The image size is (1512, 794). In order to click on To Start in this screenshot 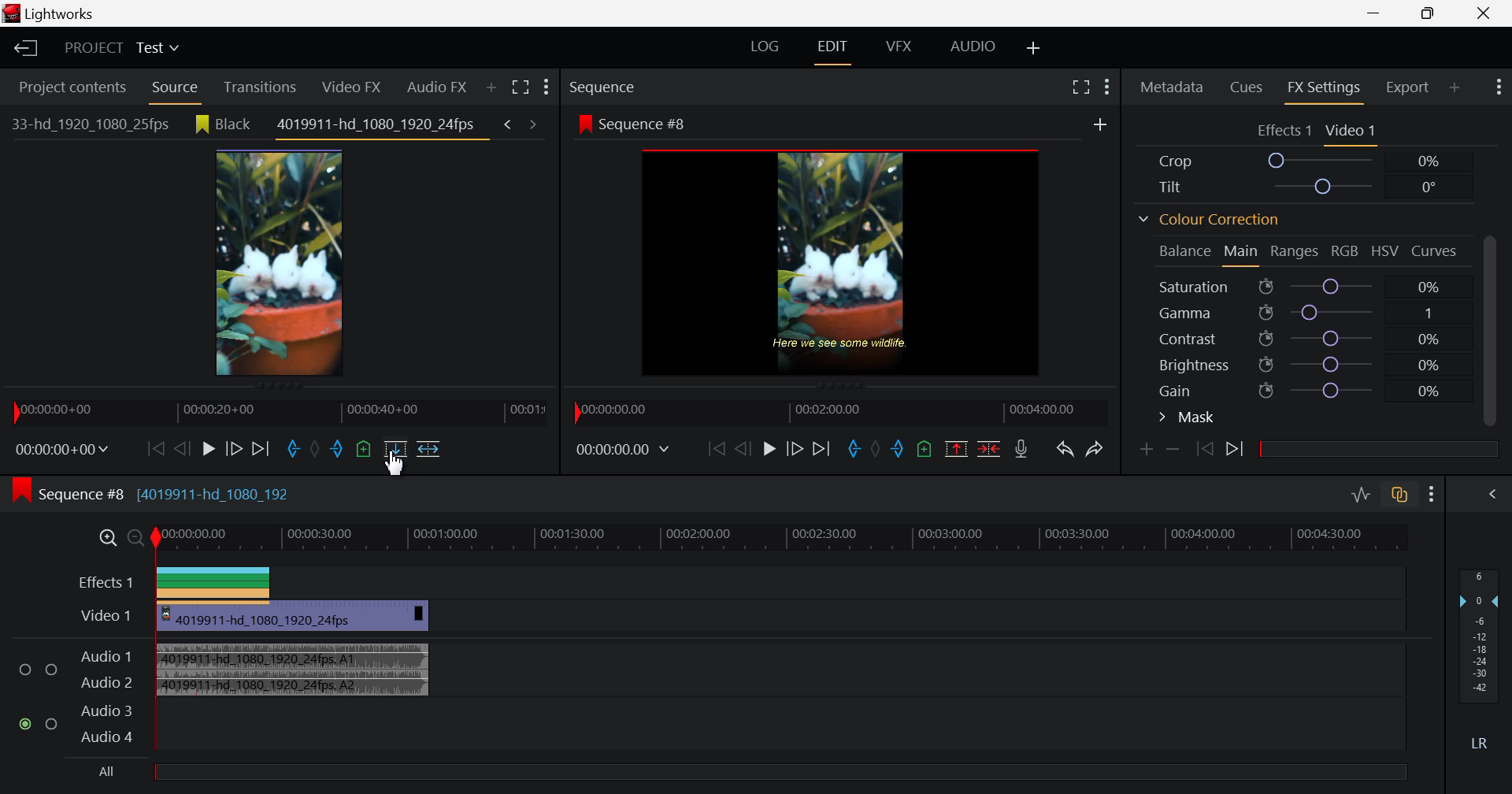, I will do `click(717, 450)`.